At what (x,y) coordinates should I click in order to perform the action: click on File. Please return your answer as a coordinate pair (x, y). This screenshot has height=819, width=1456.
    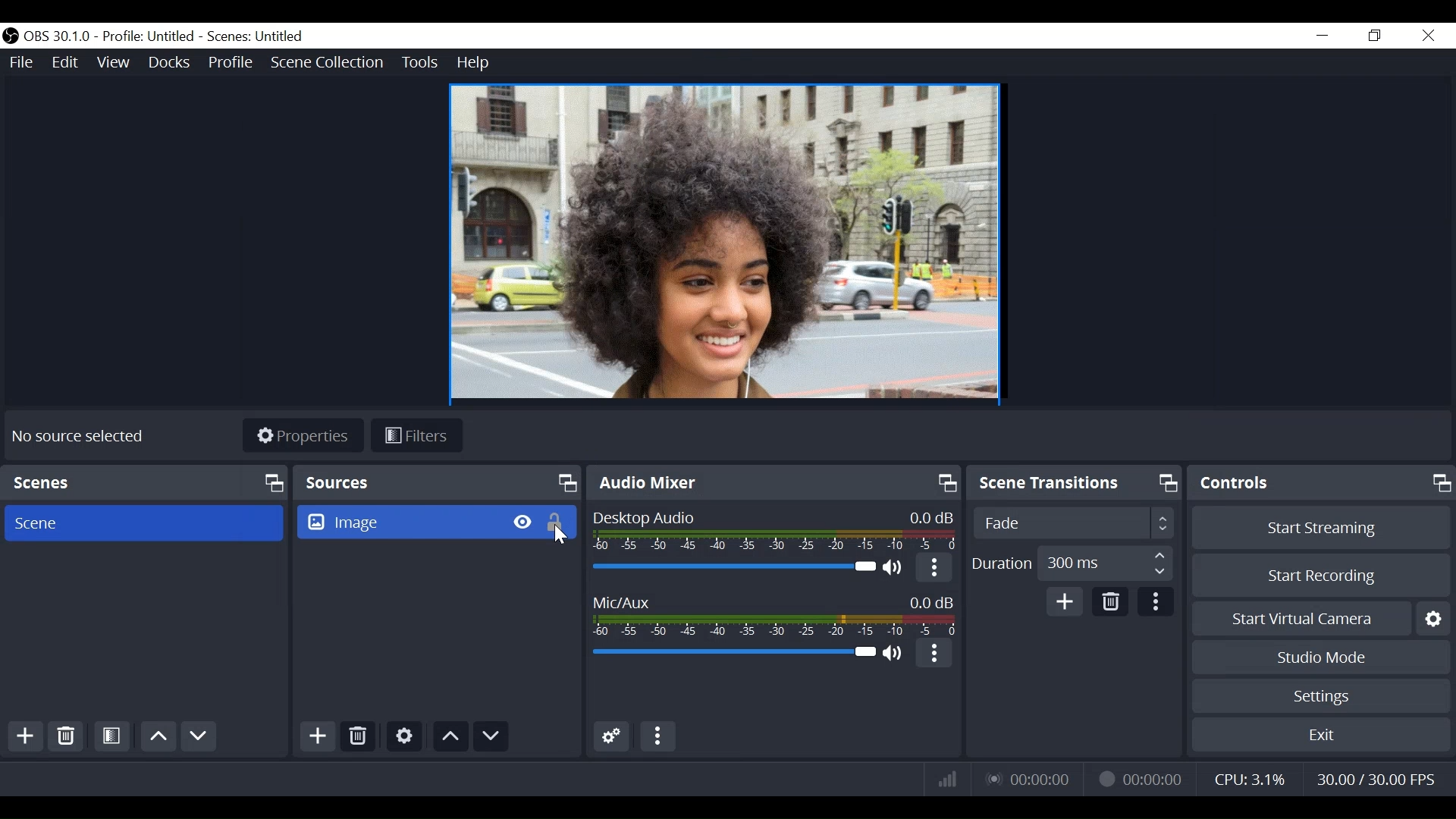
    Looking at the image, I should click on (22, 61).